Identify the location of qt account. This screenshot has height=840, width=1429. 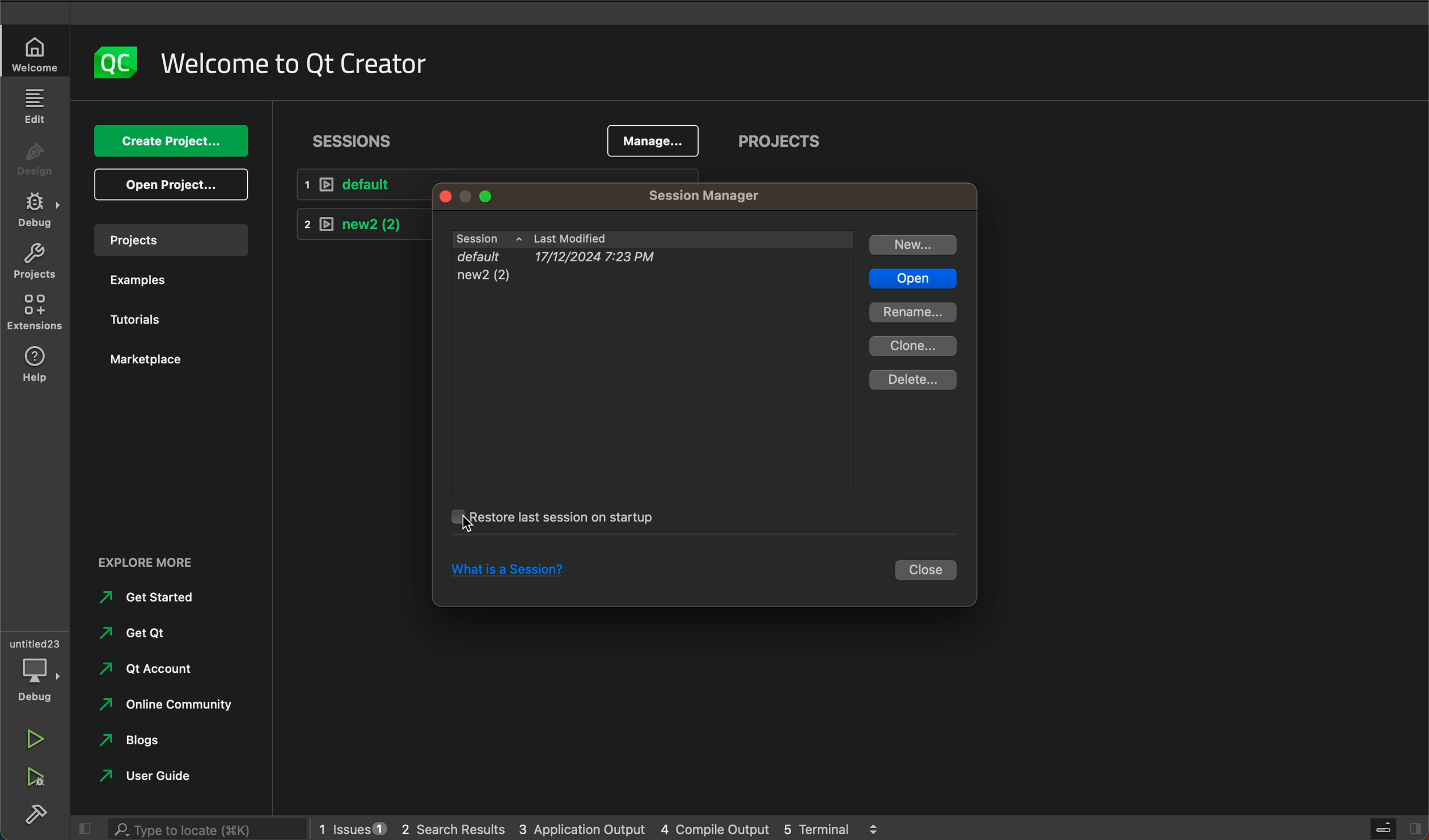
(148, 669).